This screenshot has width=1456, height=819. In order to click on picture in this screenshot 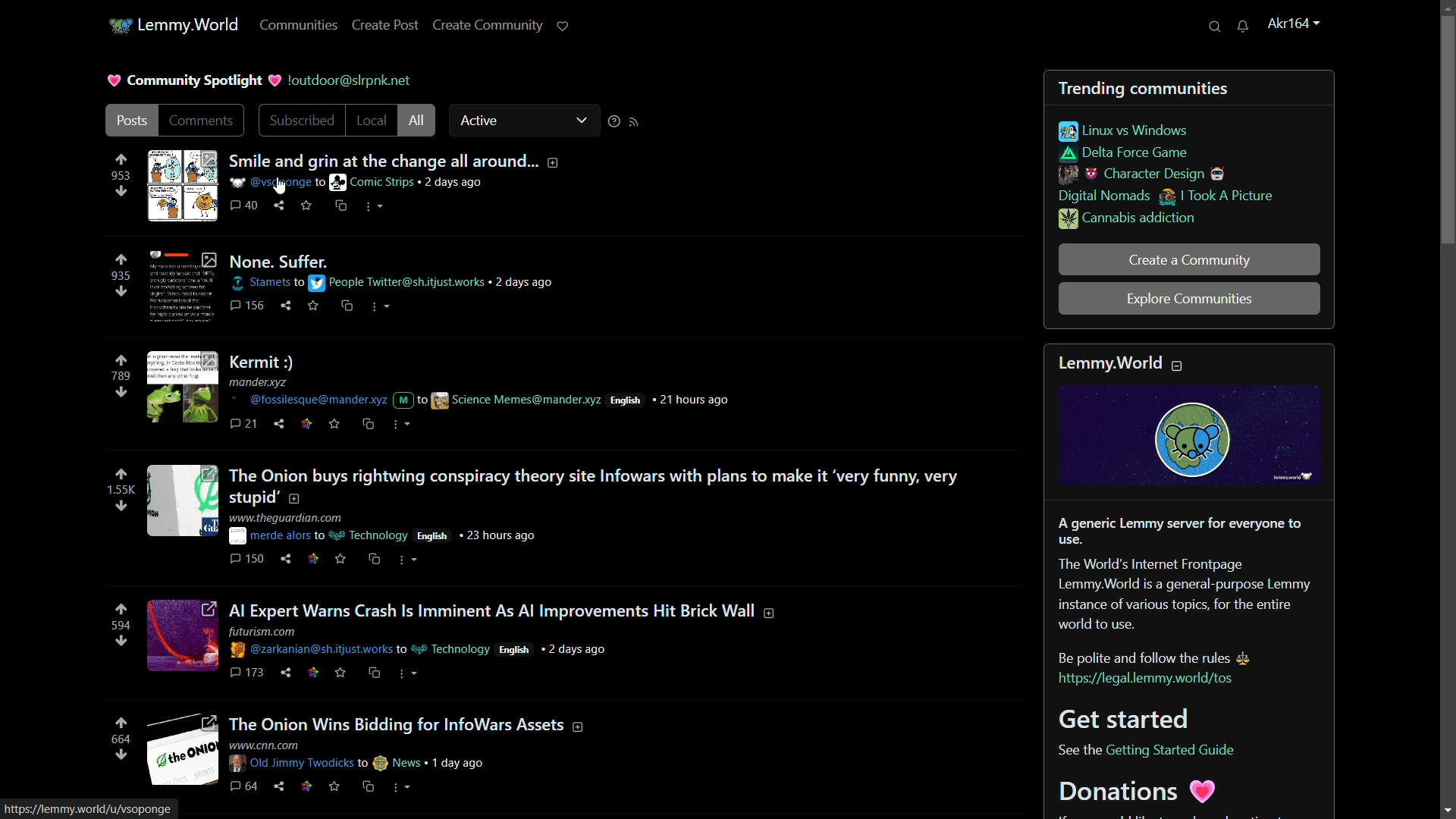, I will do `click(114, 82)`.